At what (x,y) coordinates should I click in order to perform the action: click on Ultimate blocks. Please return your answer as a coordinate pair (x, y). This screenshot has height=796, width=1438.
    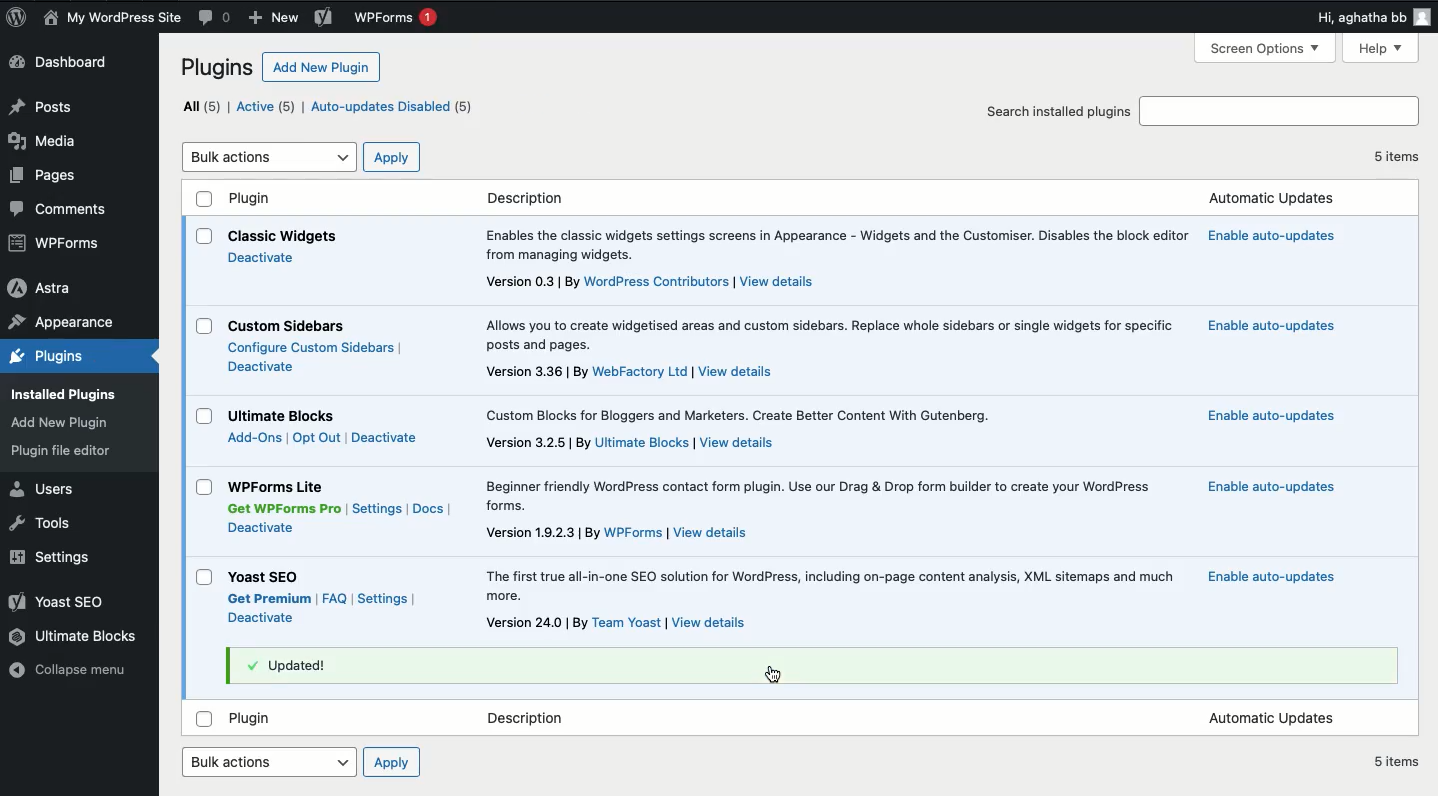
    Looking at the image, I should click on (75, 636).